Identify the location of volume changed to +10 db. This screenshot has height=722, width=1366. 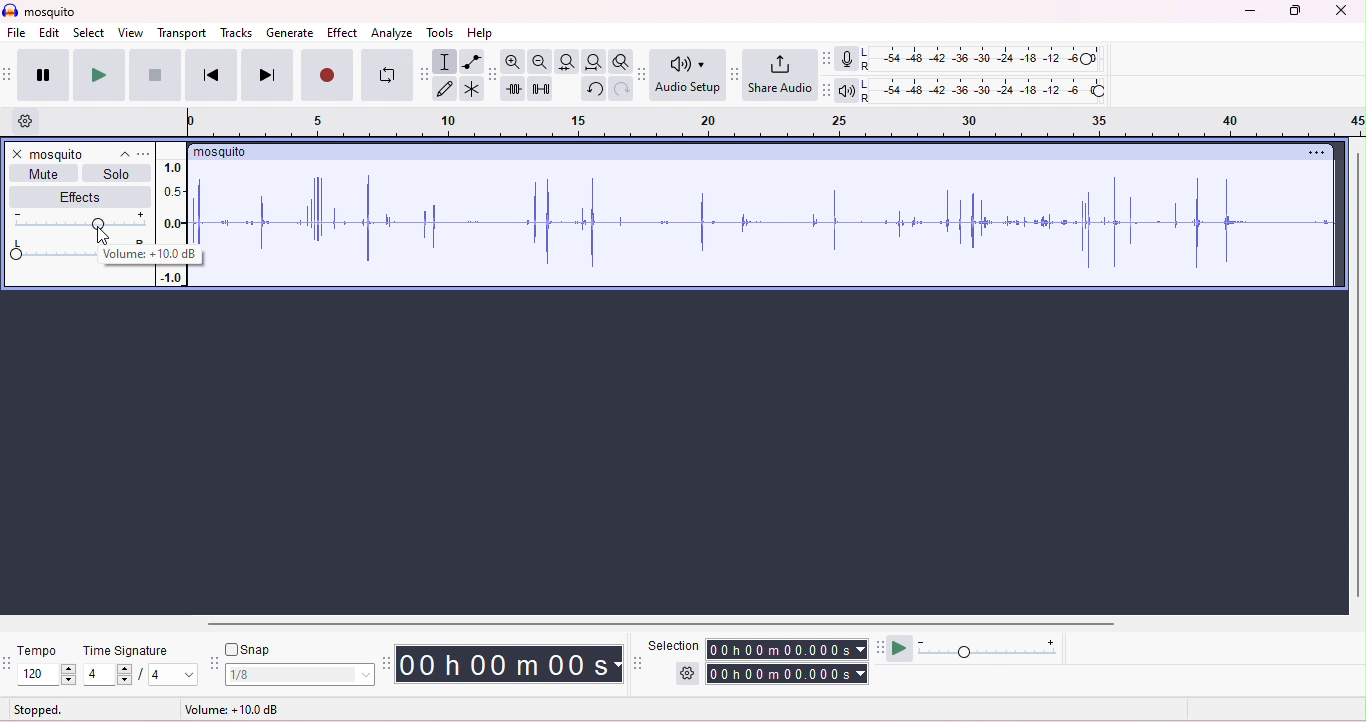
(149, 254).